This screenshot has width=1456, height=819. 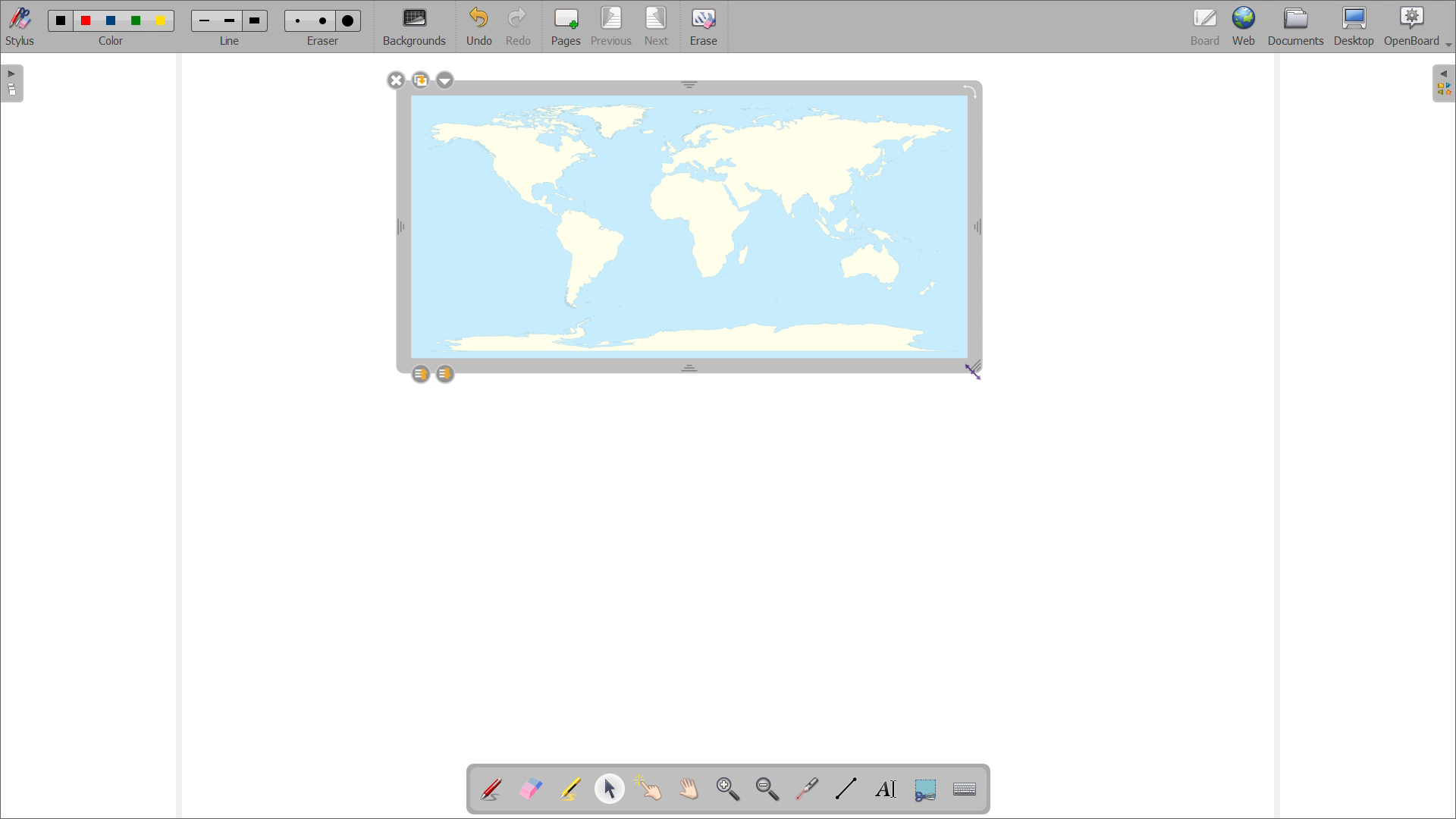 What do you see at coordinates (229, 22) in the screenshot?
I see `medium` at bounding box center [229, 22].